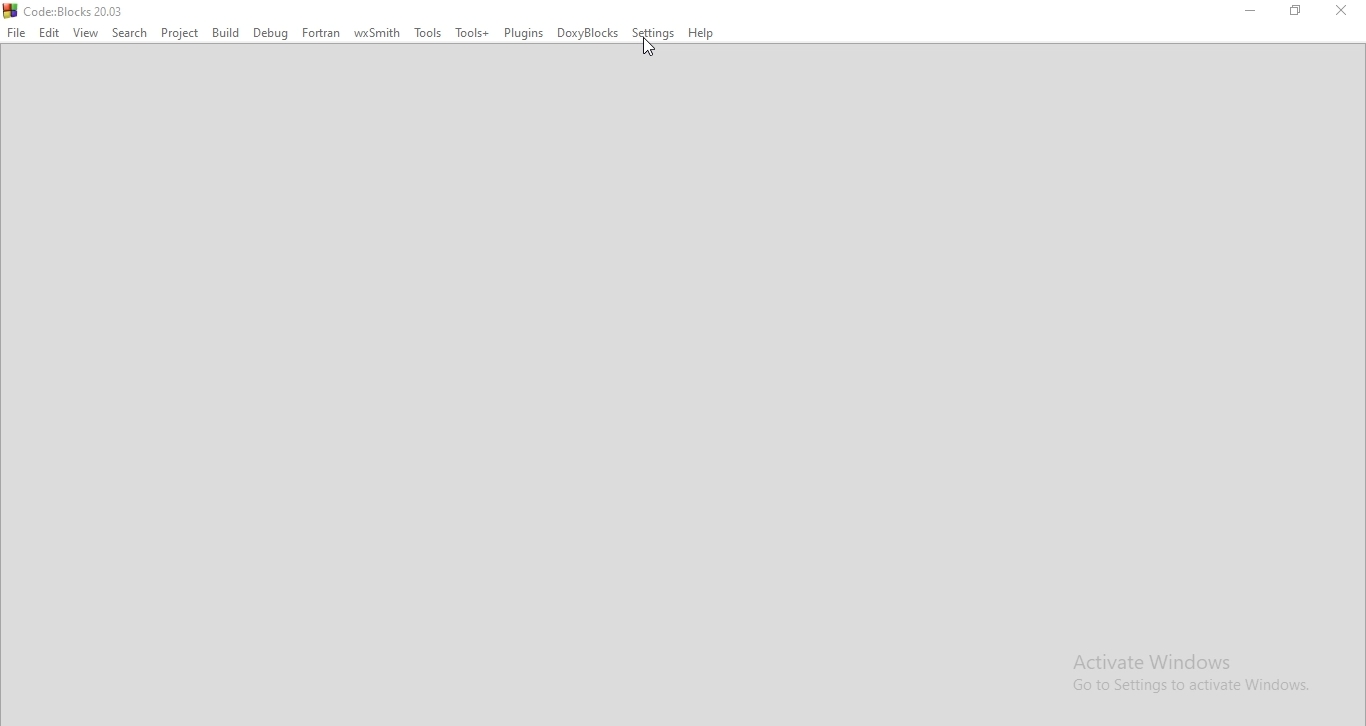 This screenshot has height=726, width=1366. I want to click on Plugins, so click(524, 33).